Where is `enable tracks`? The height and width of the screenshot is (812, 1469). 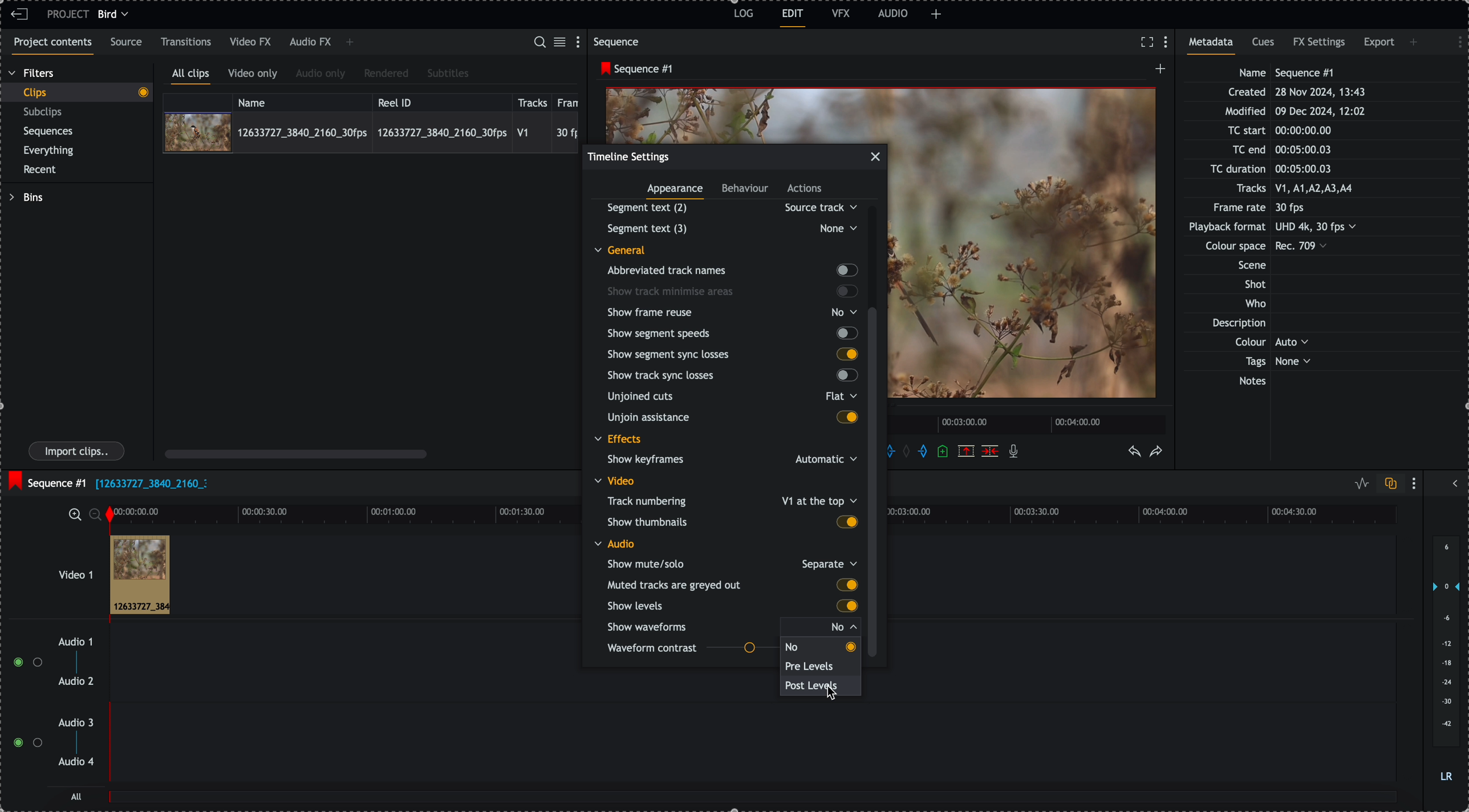
enable tracks is located at coordinates (23, 703).